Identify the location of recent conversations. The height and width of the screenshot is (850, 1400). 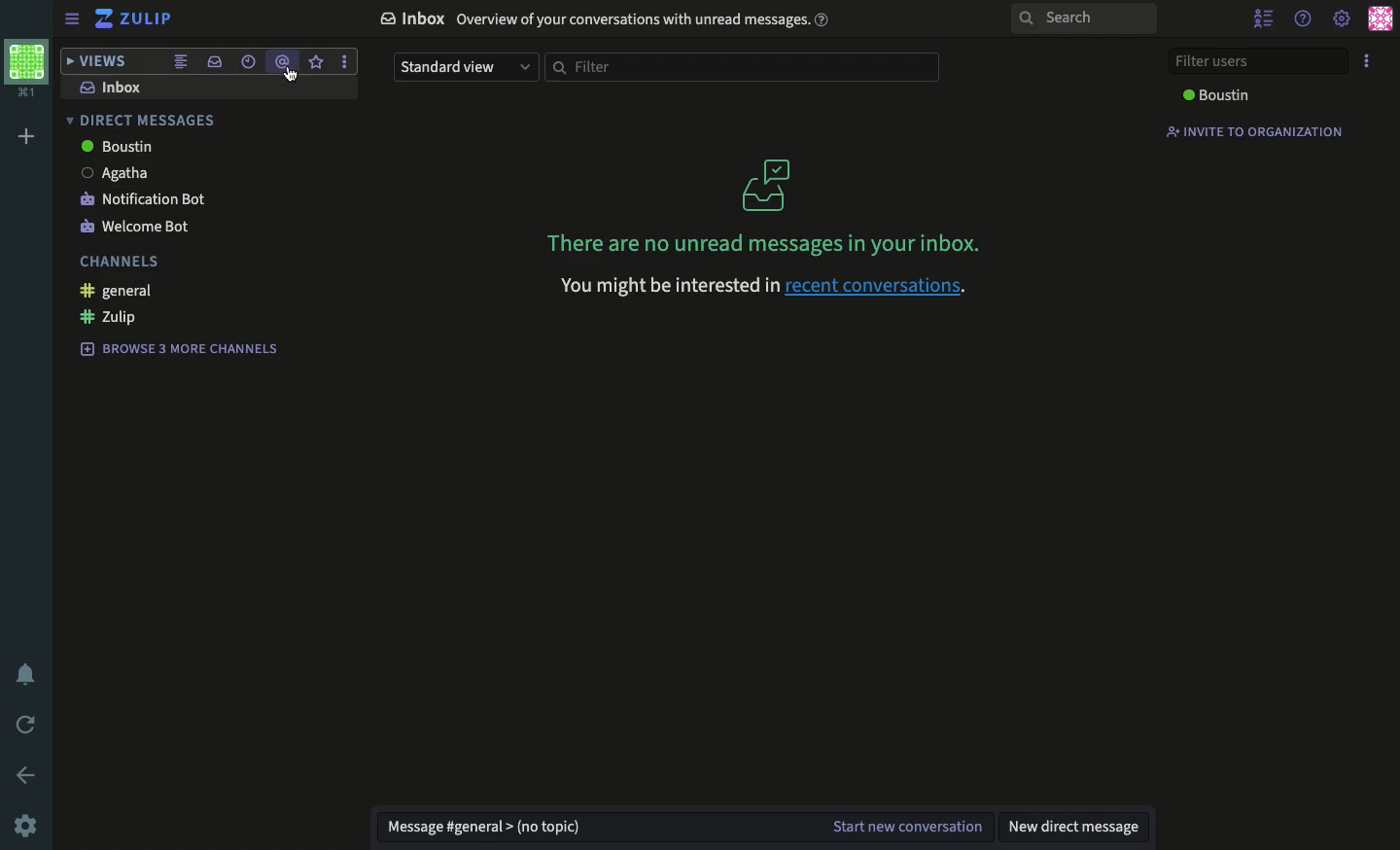
(249, 62).